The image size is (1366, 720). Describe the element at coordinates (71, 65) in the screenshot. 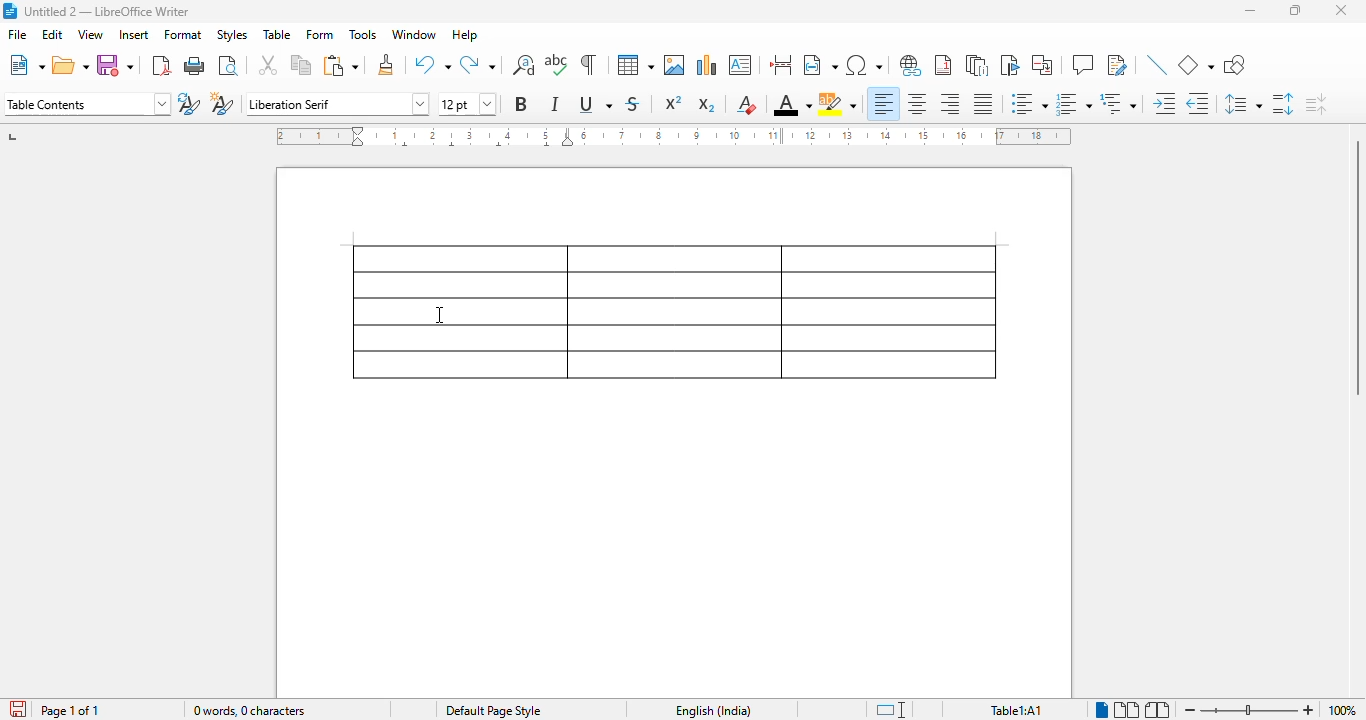

I see `open` at that location.